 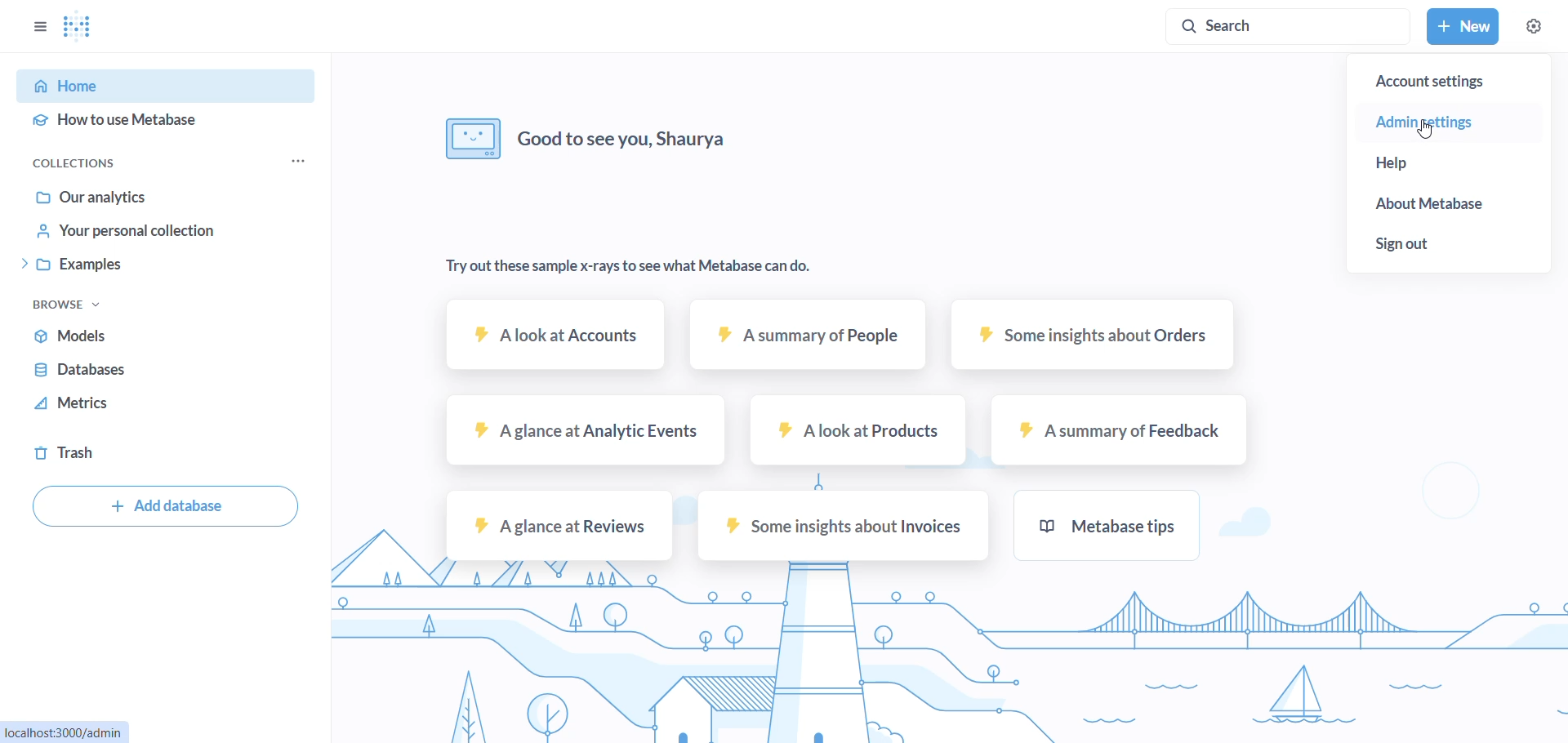 I want to click on collection options, so click(x=298, y=162).